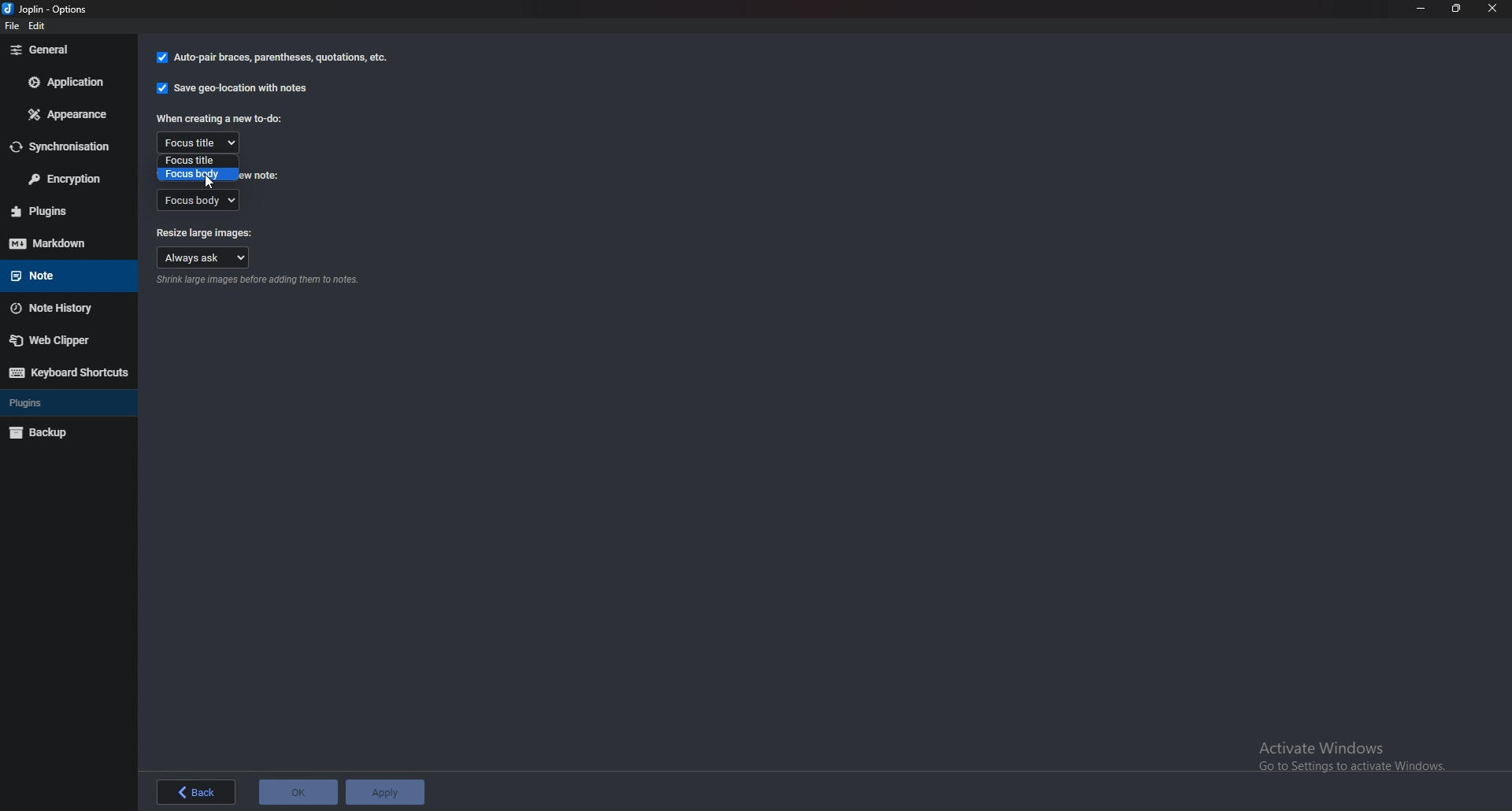  What do you see at coordinates (220, 185) in the screenshot?
I see `cursor` at bounding box center [220, 185].